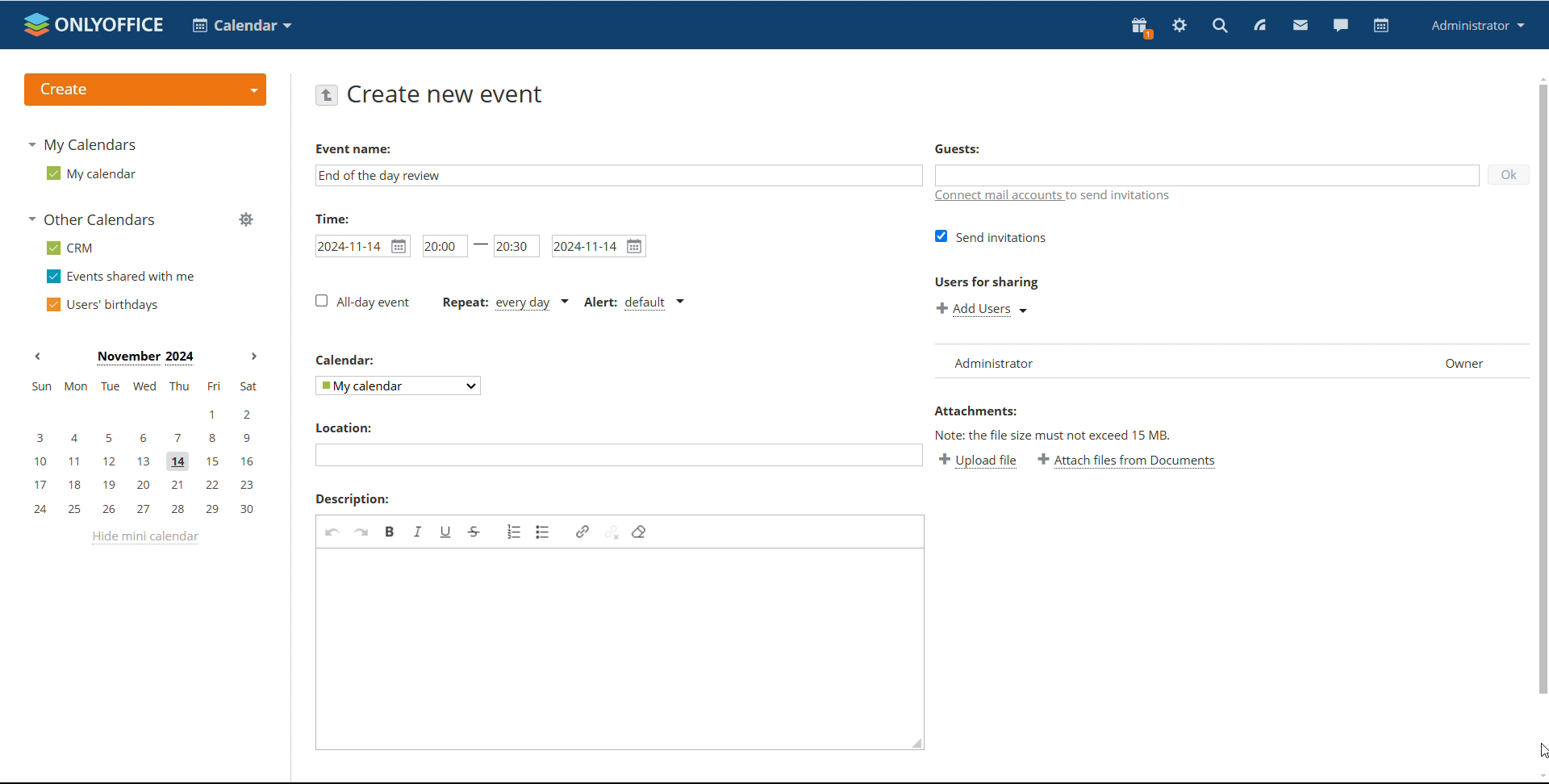 The height and width of the screenshot is (784, 1549). What do you see at coordinates (1173, 361) in the screenshot?
I see `list of users` at bounding box center [1173, 361].